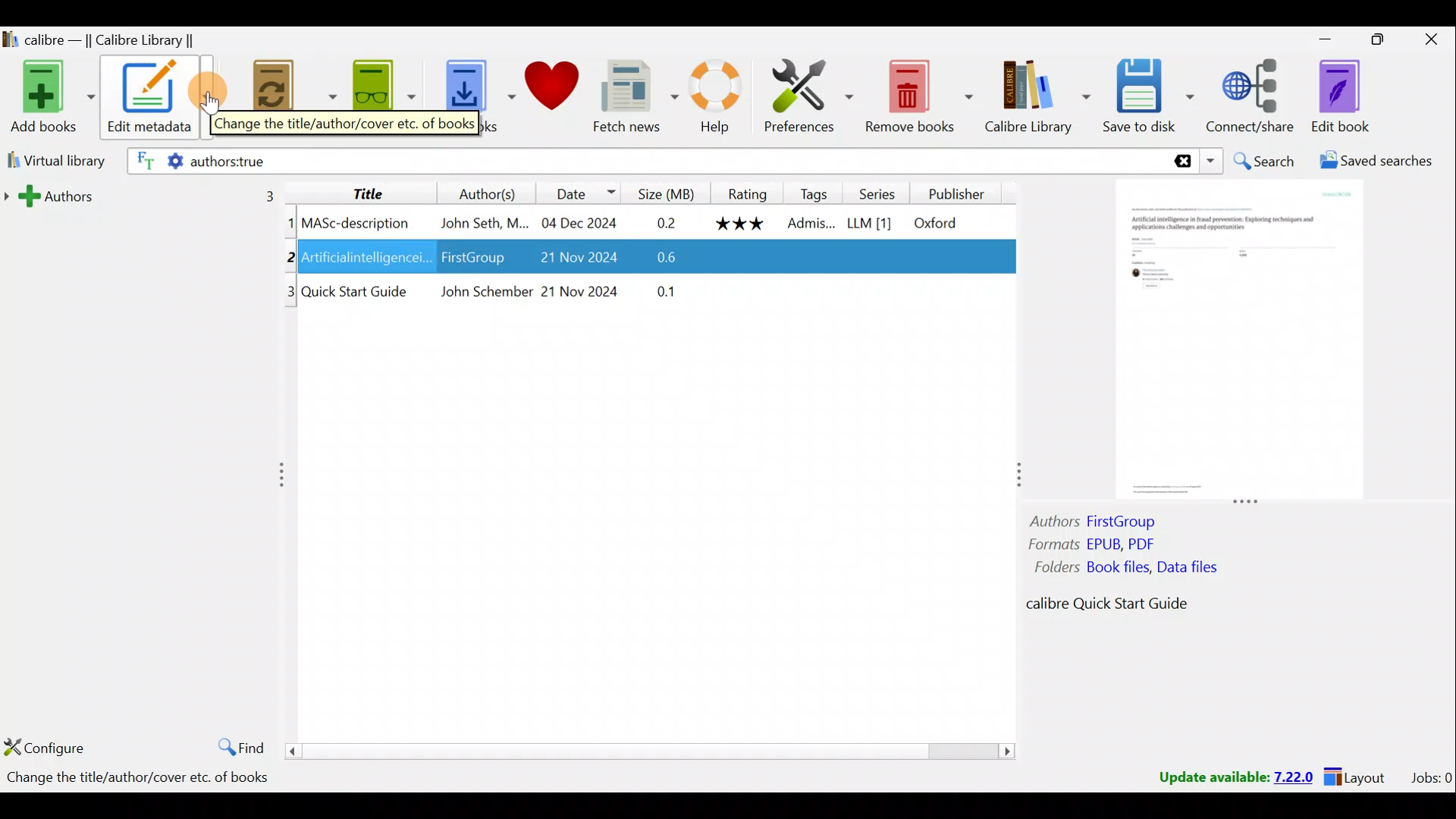 The width and height of the screenshot is (1456, 819). I want to click on Fetch news, so click(626, 96).